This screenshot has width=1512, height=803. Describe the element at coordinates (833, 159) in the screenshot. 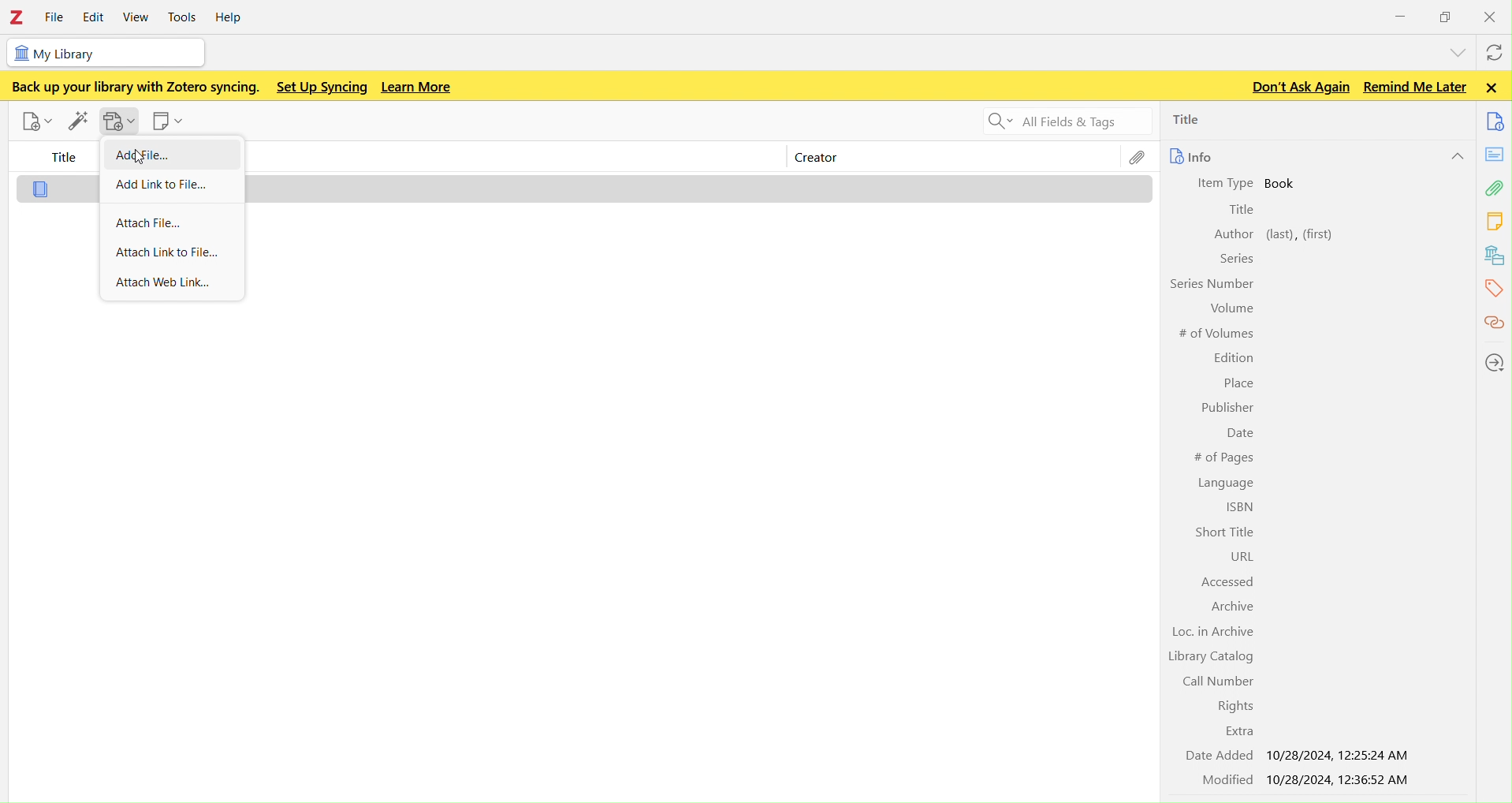

I see `creator` at that location.